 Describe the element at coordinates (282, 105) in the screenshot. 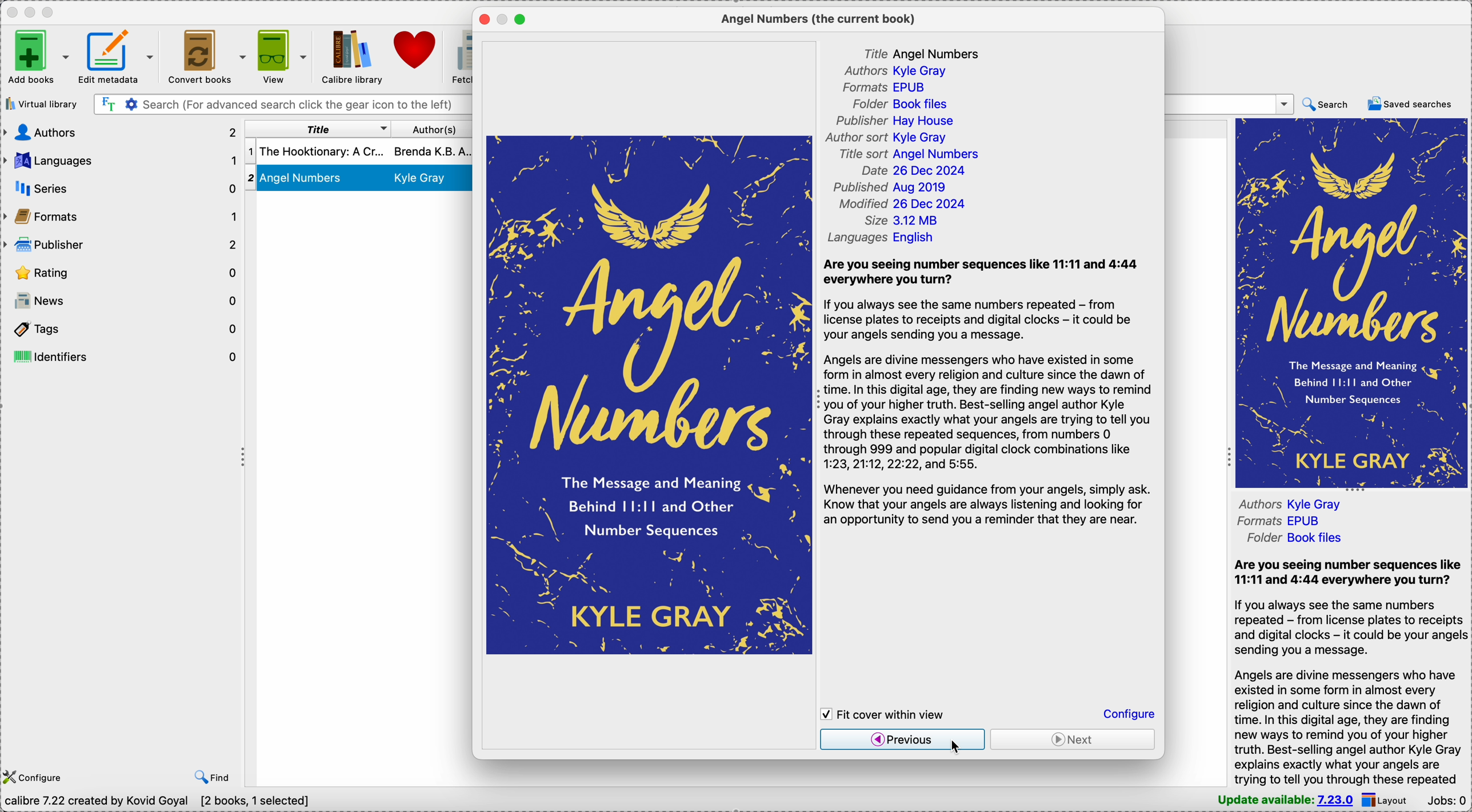

I see `search bar` at that location.